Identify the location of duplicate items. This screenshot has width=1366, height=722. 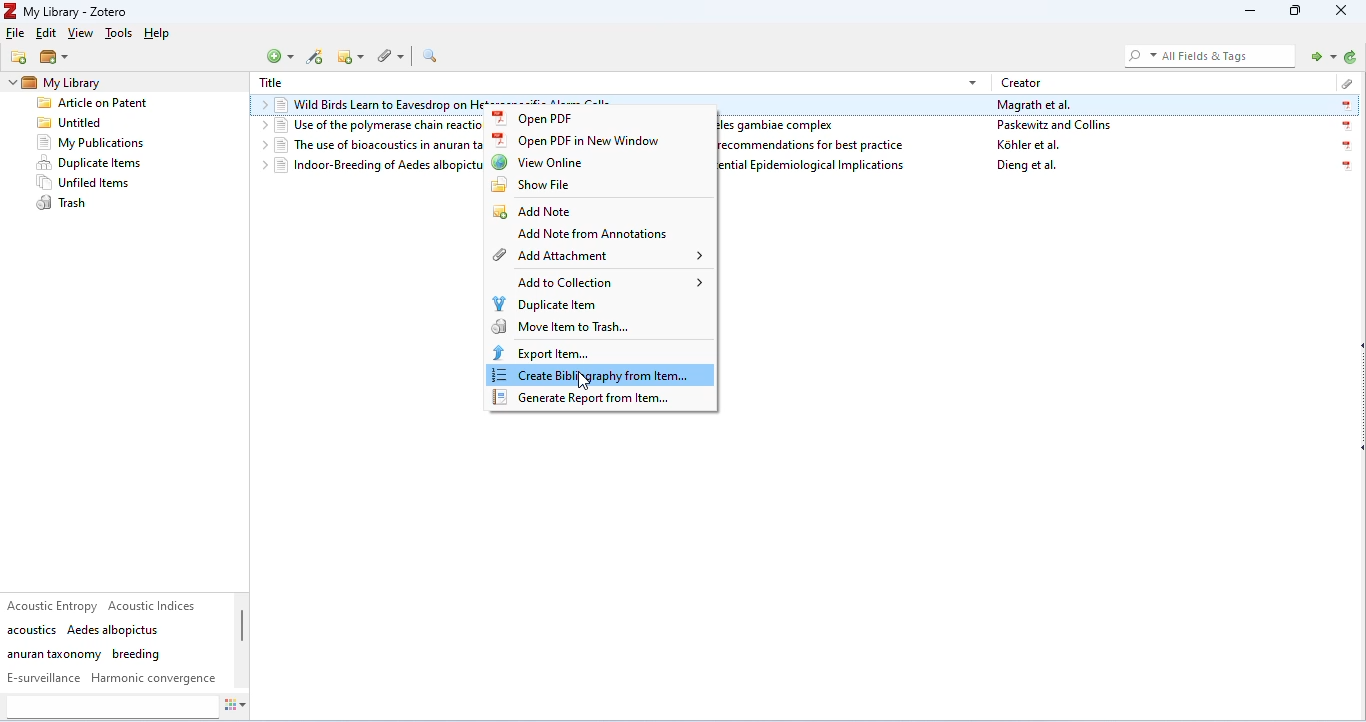
(90, 163).